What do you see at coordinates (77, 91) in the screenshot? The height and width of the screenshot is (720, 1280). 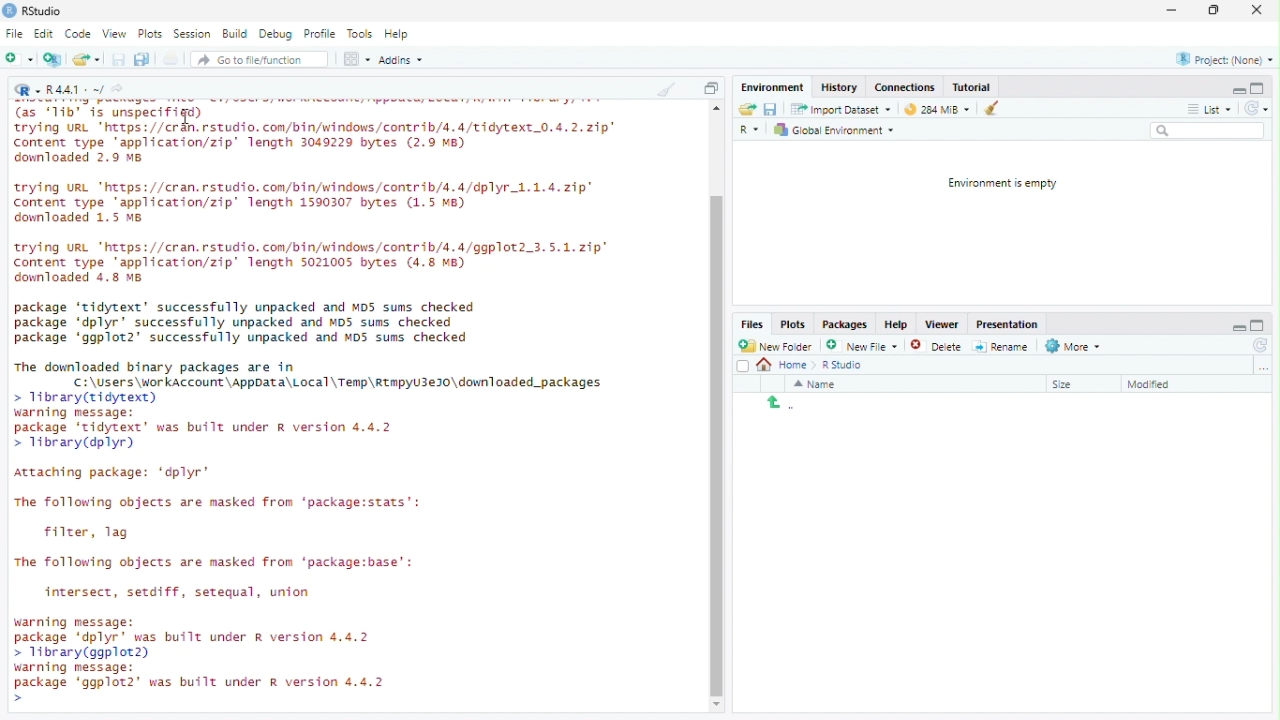 I see `R4.4.1 ~/` at bounding box center [77, 91].